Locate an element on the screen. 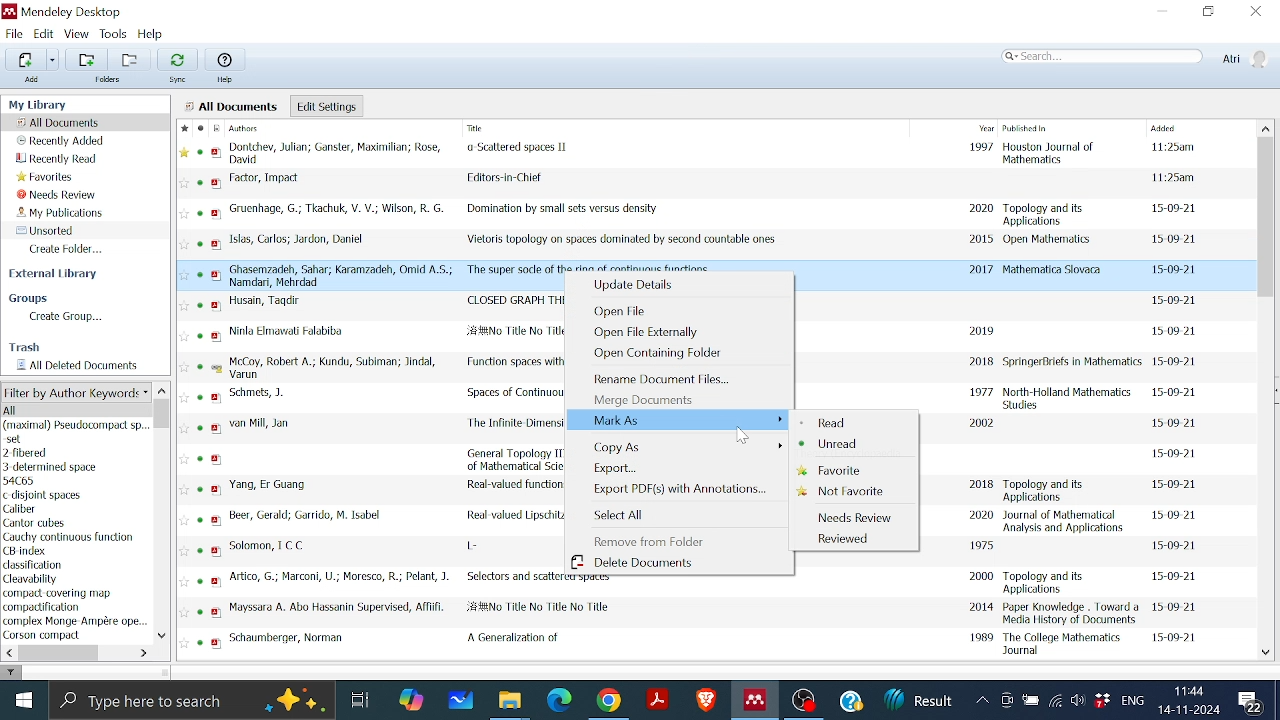 This screenshot has height=720, width=1280. Open containing folder is located at coordinates (667, 355).